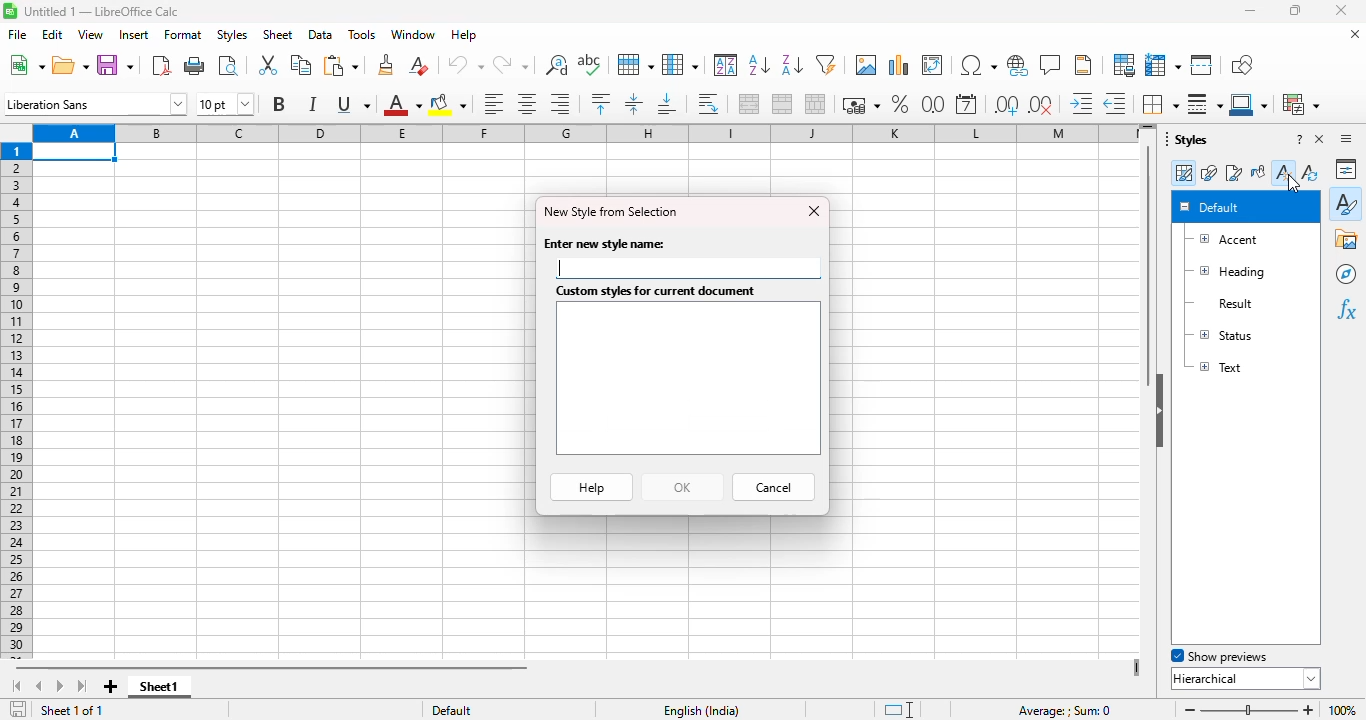 The width and height of the screenshot is (1366, 720). What do you see at coordinates (688, 379) in the screenshot?
I see `textbox` at bounding box center [688, 379].